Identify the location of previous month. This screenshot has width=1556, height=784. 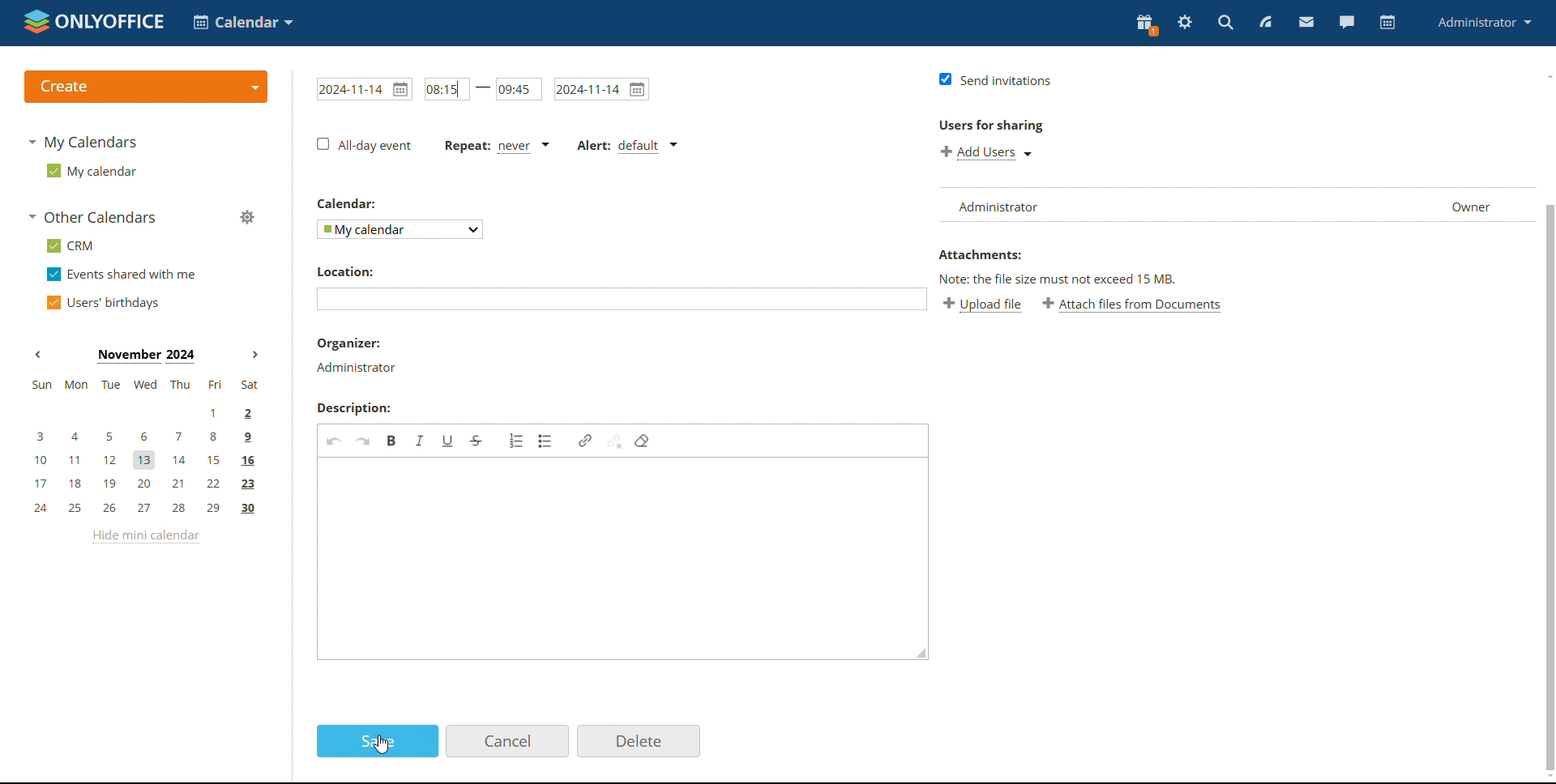
(41, 355).